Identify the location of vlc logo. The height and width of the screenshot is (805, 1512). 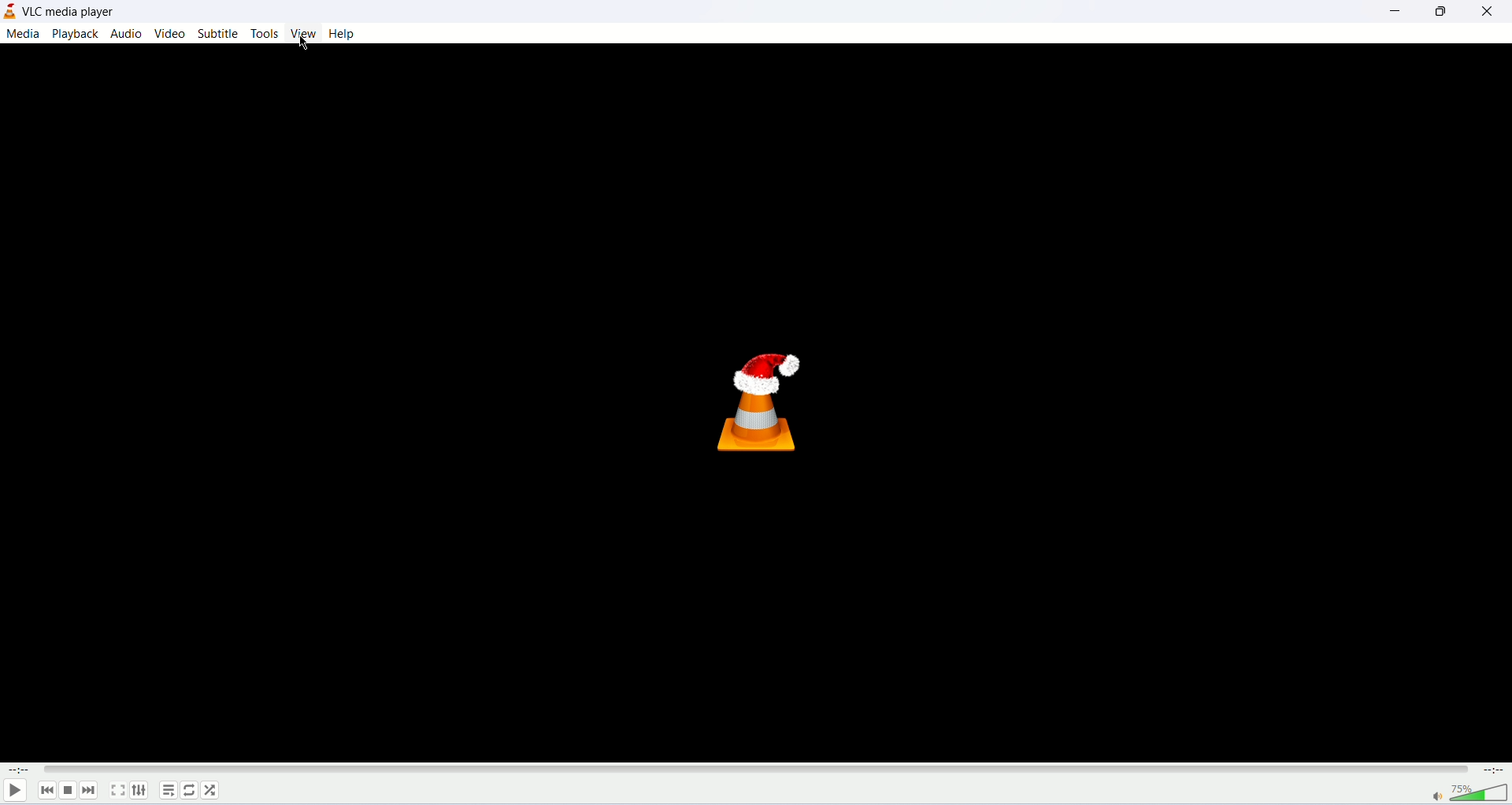
(764, 401).